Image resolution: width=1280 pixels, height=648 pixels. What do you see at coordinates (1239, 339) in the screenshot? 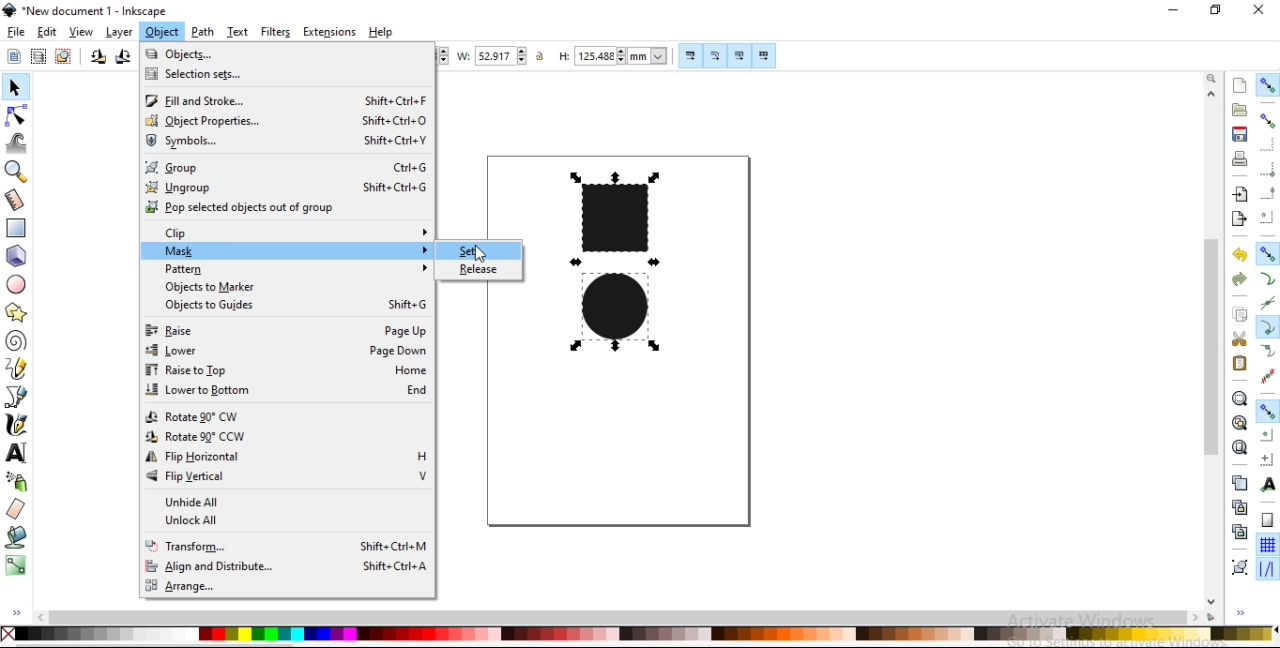
I see `cut` at bounding box center [1239, 339].